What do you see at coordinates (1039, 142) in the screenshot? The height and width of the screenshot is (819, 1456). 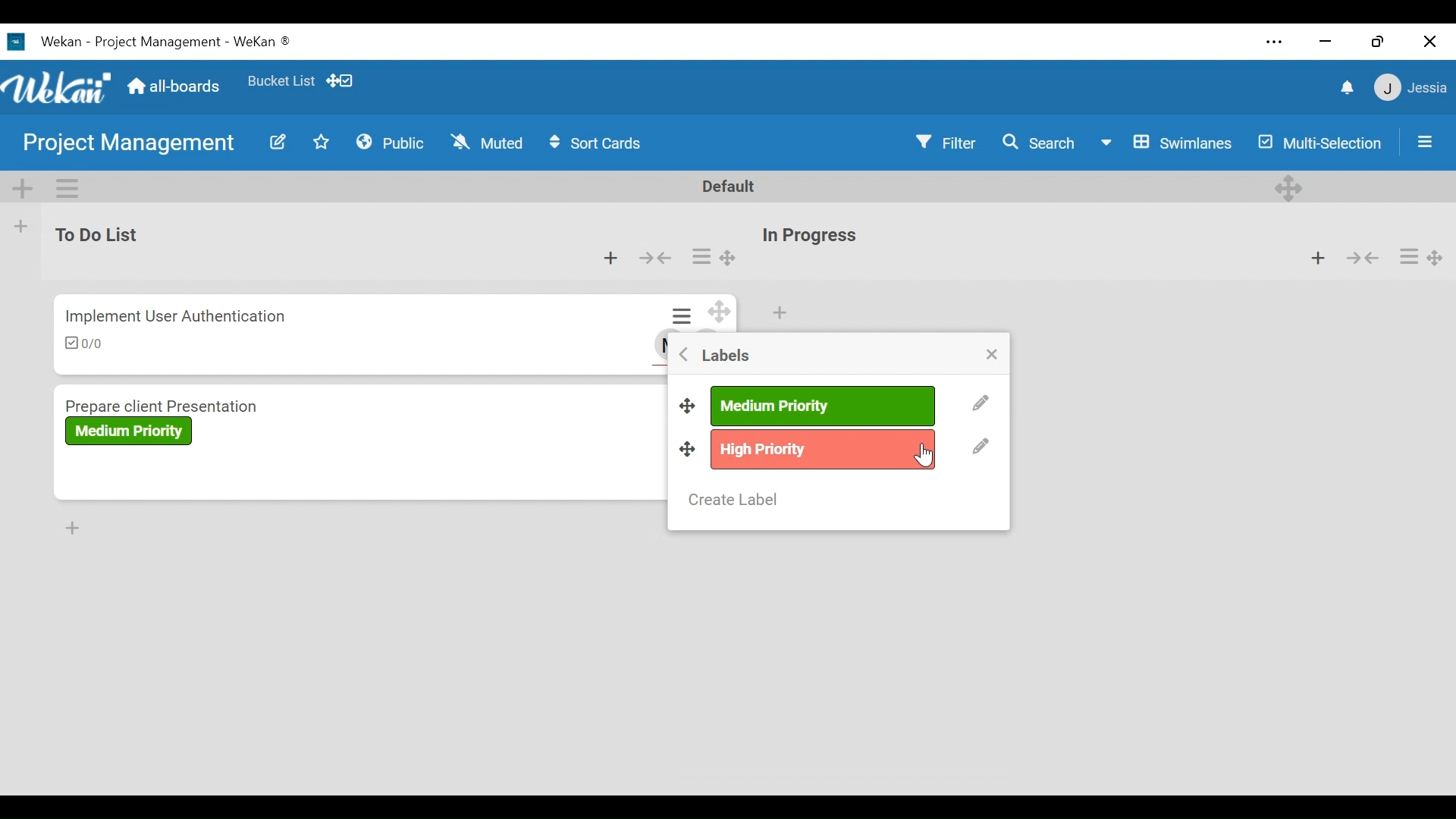 I see `Search` at bounding box center [1039, 142].